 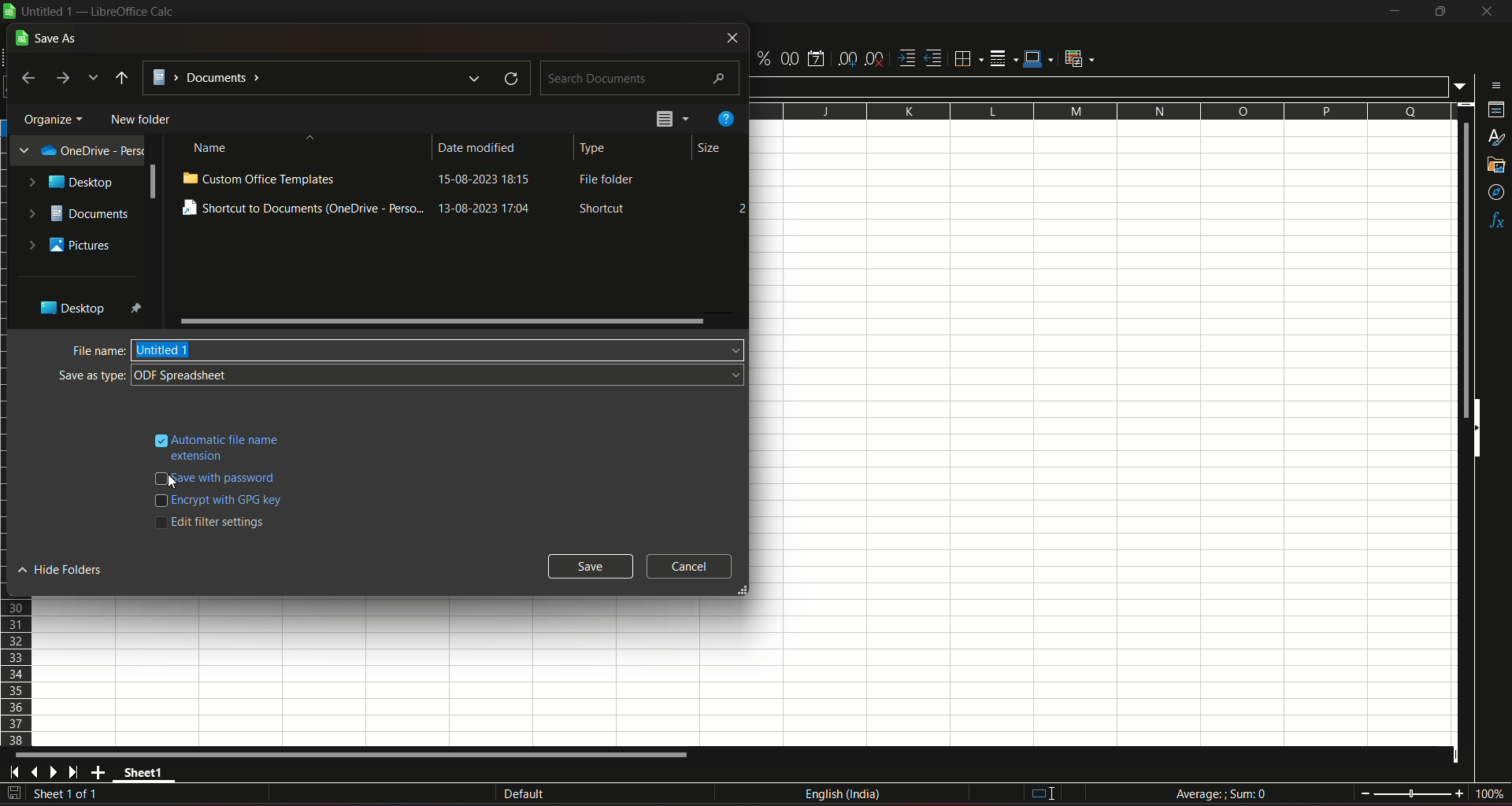 I want to click on border style, so click(x=1005, y=57).